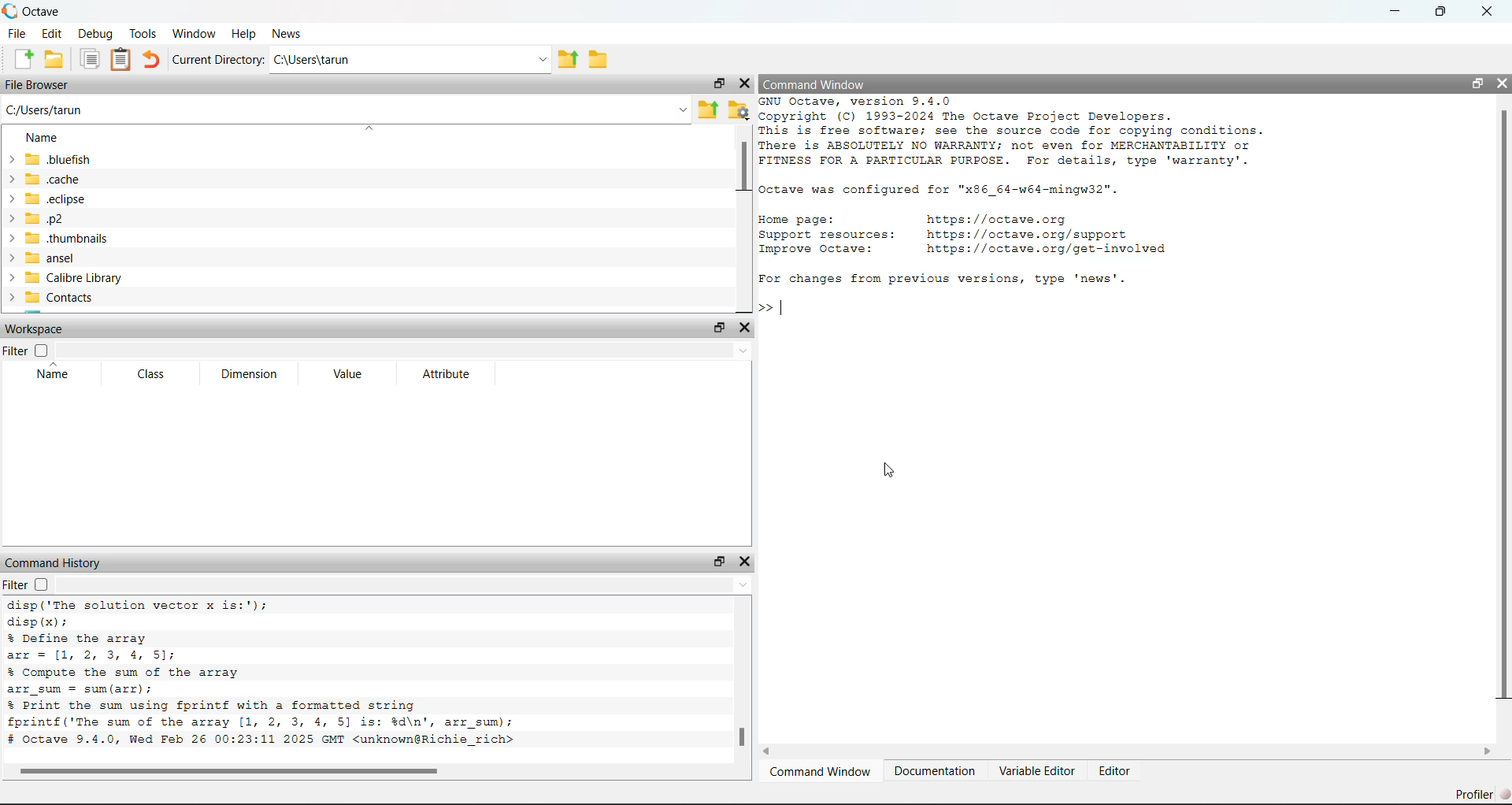  What do you see at coordinates (1500, 83) in the screenshot?
I see `Close` at bounding box center [1500, 83].